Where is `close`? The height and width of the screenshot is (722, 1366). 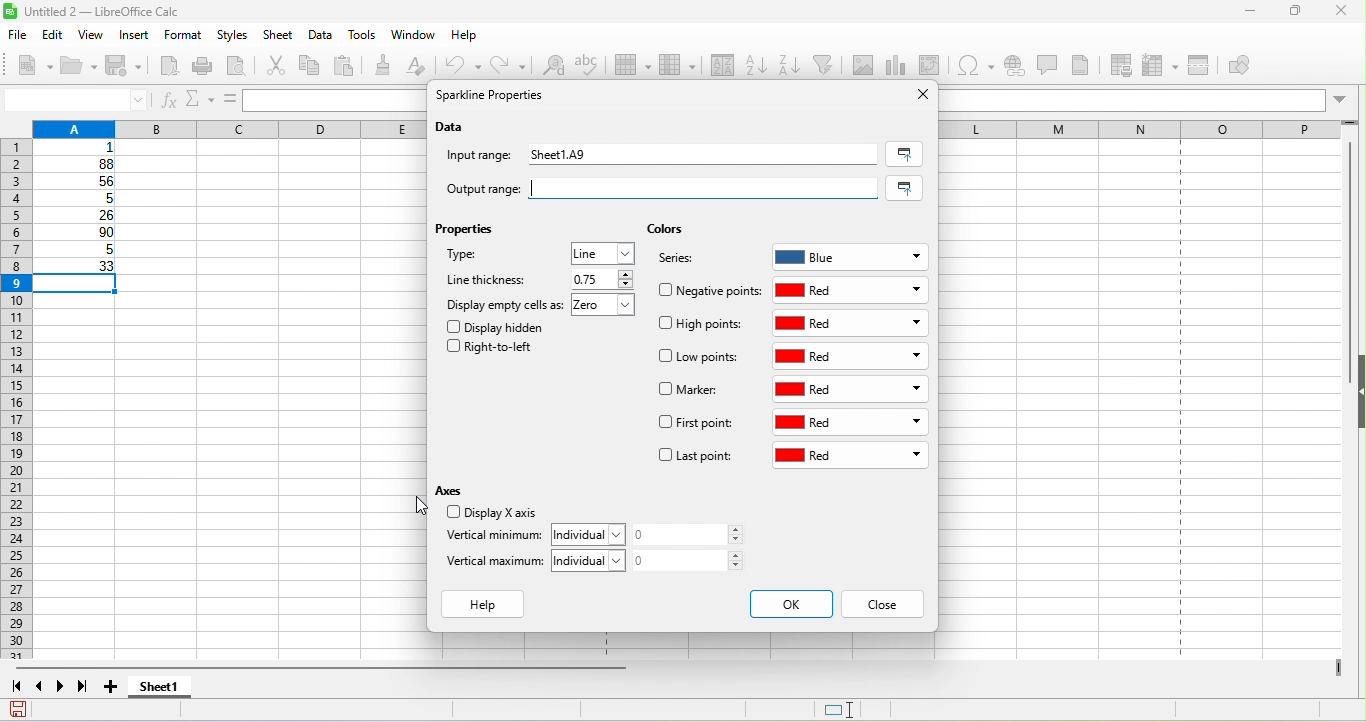 close is located at coordinates (1342, 13).